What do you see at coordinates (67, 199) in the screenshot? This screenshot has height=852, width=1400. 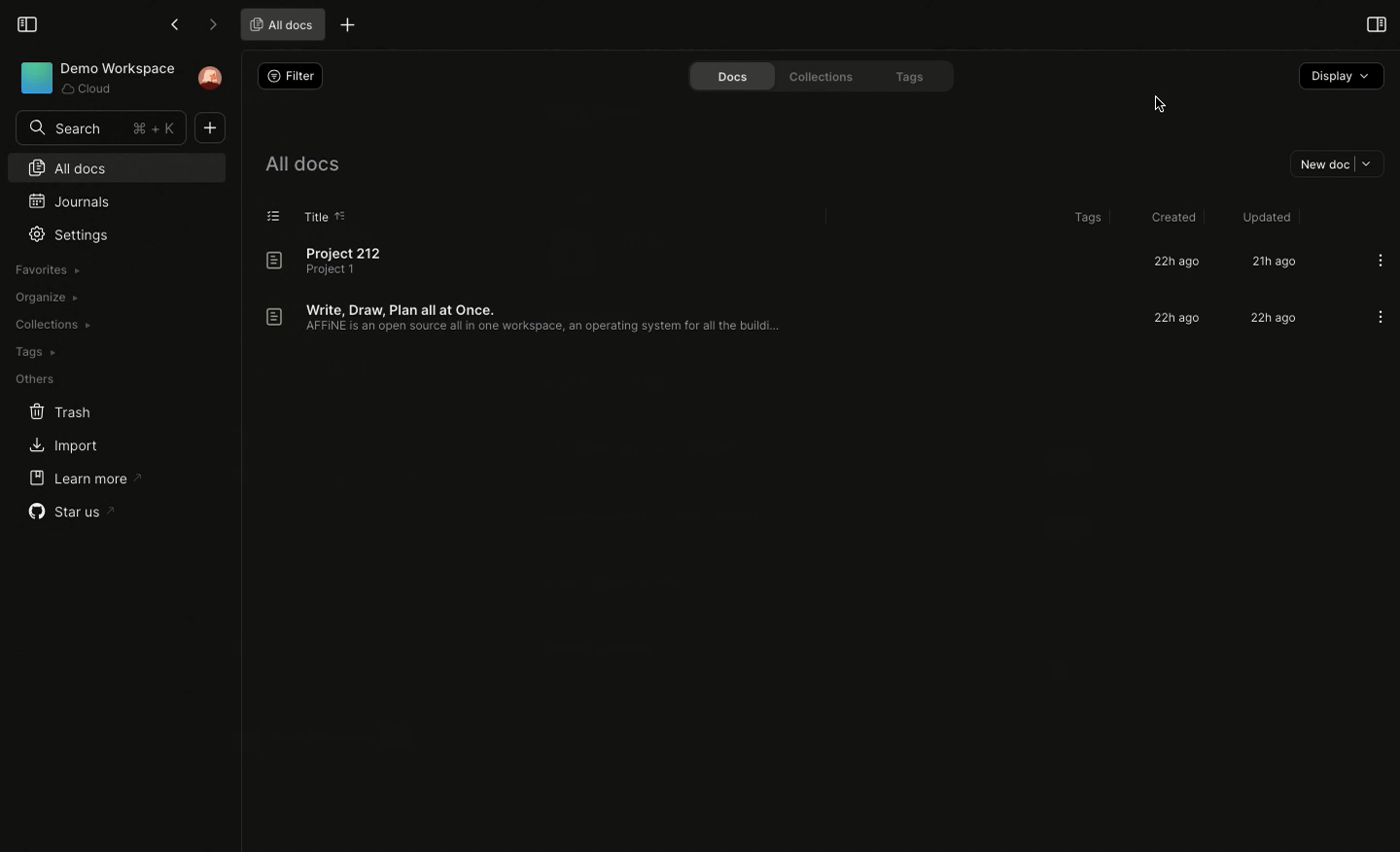 I see `Journals` at bounding box center [67, 199].